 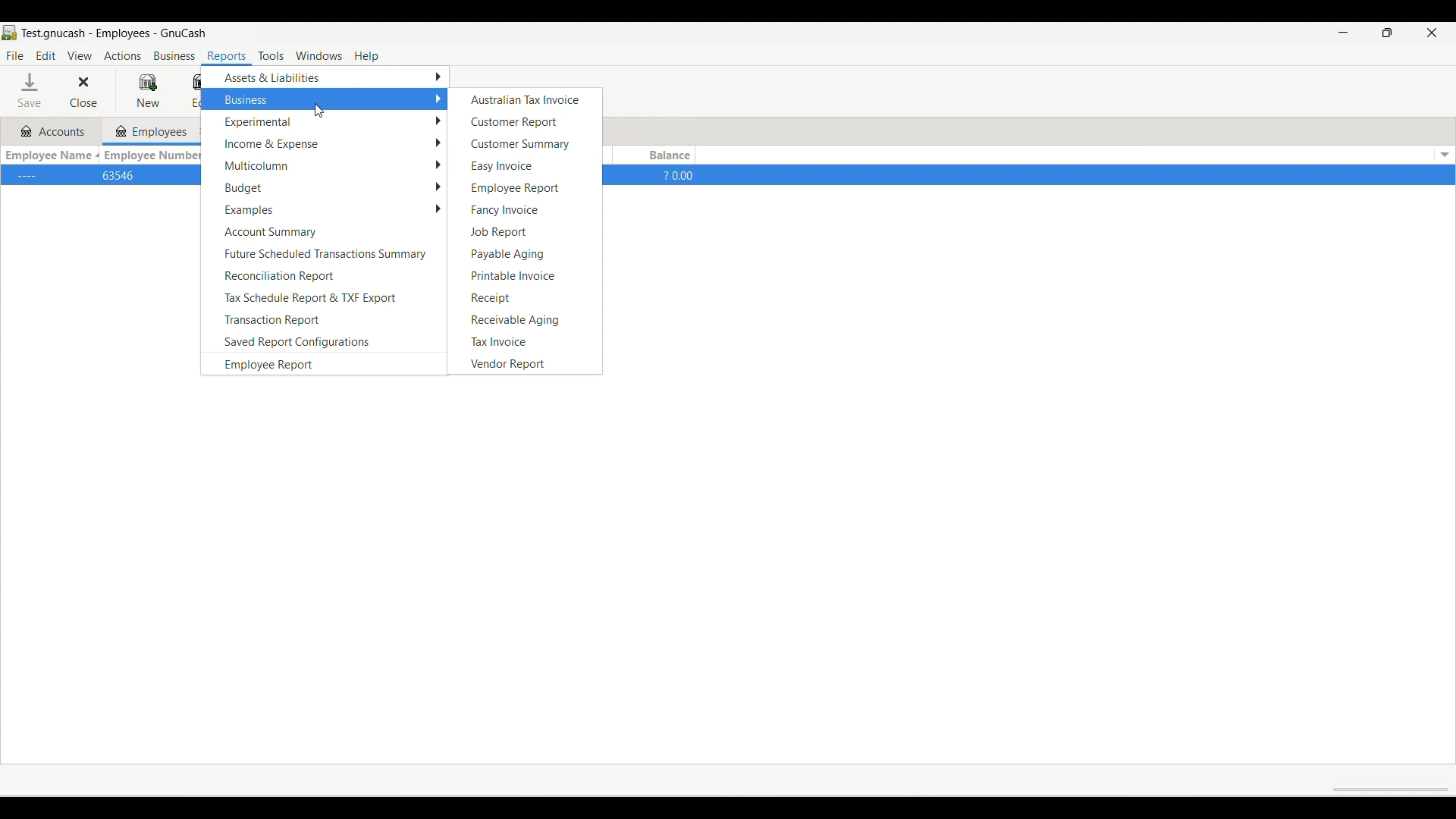 I want to click on Easy invoice, so click(x=524, y=166).